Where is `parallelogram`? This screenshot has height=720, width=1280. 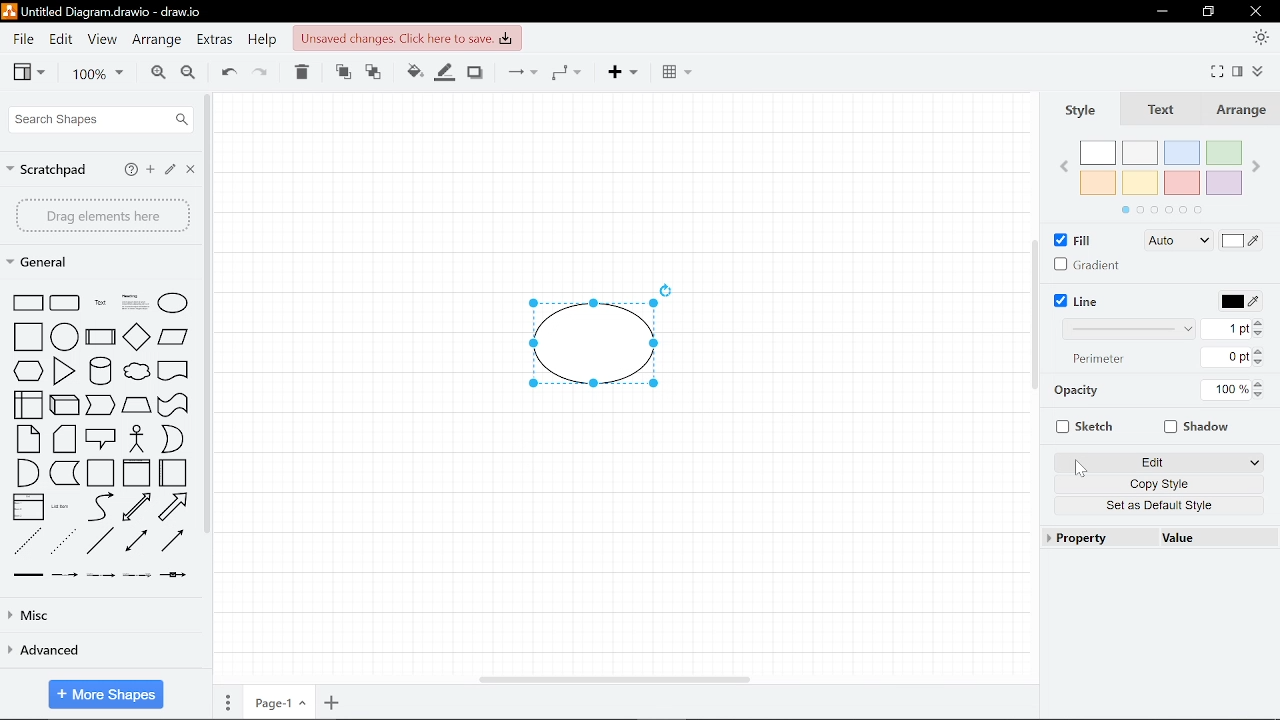
parallelogram is located at coordinates (175, 337).